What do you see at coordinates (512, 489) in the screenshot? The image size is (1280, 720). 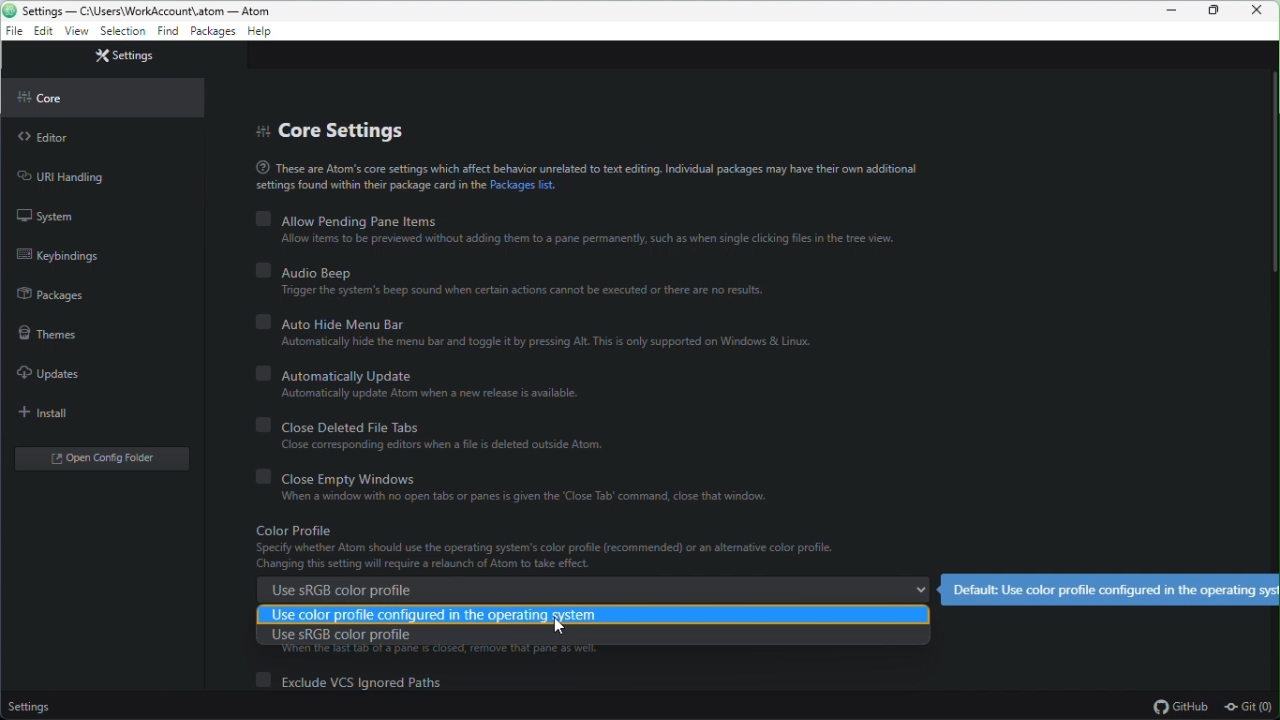 I see `Close empty Windows` at bounding box center [512, 489].